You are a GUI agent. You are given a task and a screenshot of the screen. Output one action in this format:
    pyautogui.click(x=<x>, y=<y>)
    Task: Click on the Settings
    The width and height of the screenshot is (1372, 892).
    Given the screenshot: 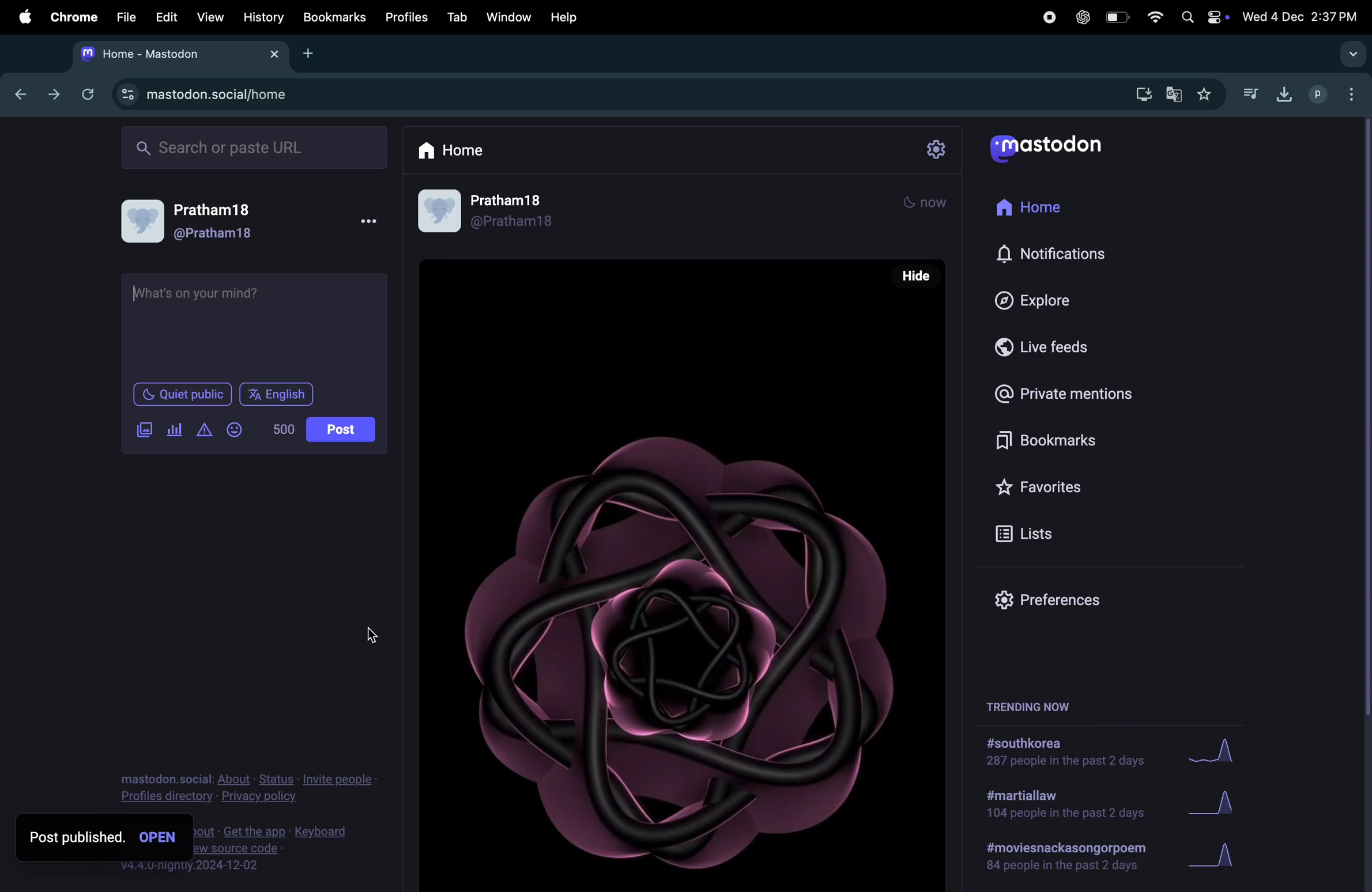 What is the action you would take?
    pyautogui.click(x=936, y=150)
    